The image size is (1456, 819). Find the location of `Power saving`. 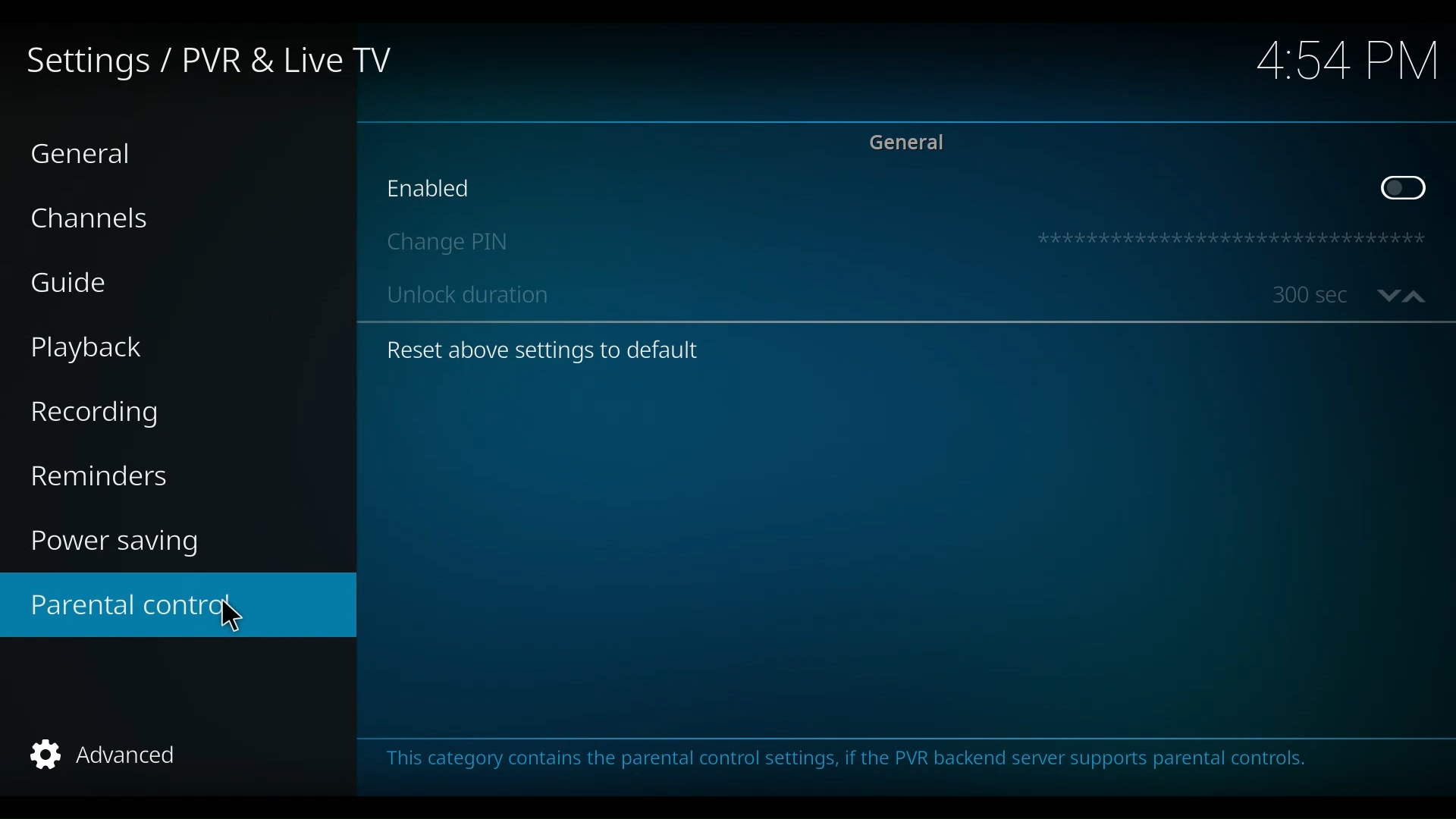

Power saving is located at coordinates (115, 541).